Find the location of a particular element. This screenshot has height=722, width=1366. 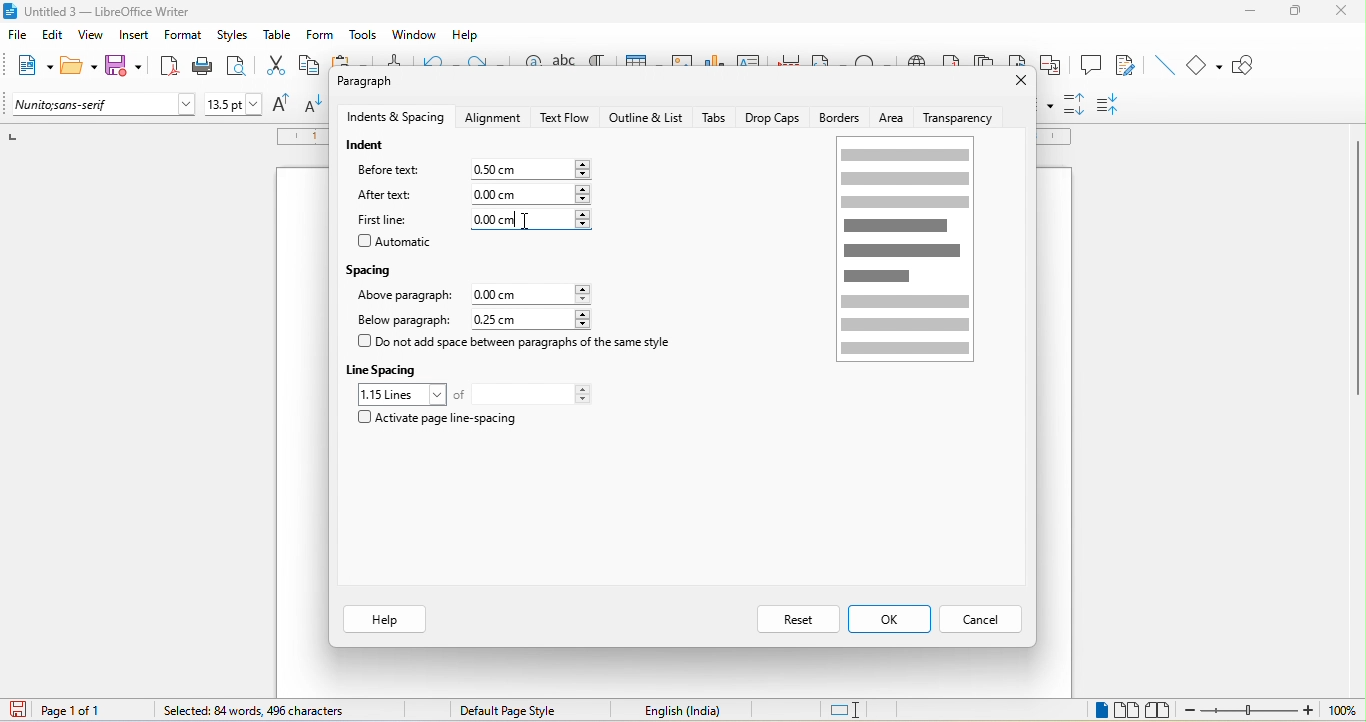

save is located at coordinates (125, 66).